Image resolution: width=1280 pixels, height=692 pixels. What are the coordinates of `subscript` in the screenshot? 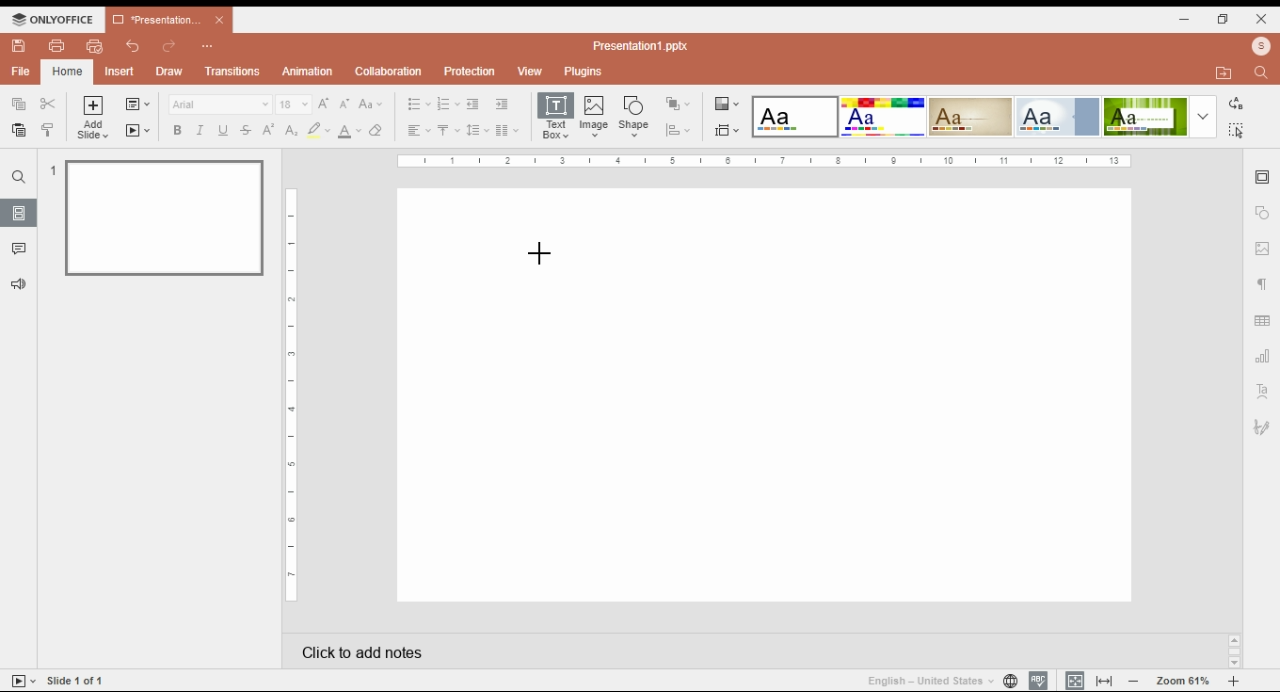 It's located at (291, 131).